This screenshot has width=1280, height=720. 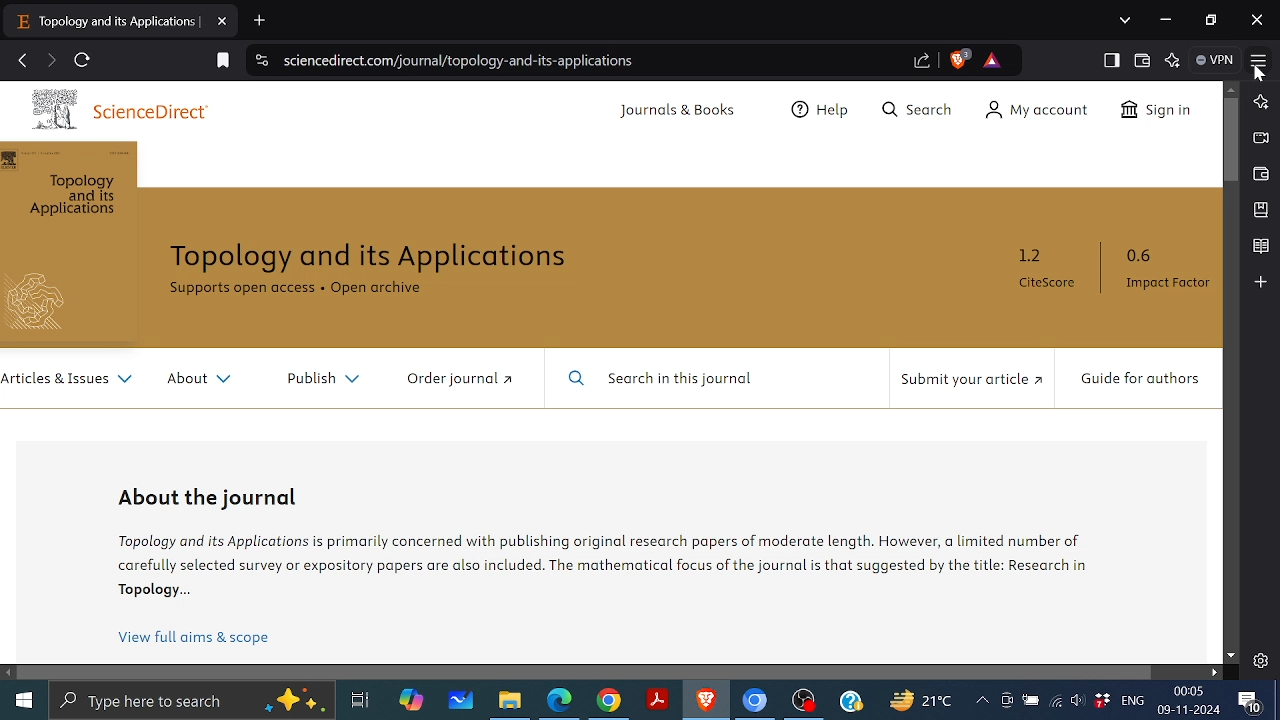 What do you see at coordinates (666, 379) in the screenshot?
I see `Search in this journal` at bounding box center [666, 379].